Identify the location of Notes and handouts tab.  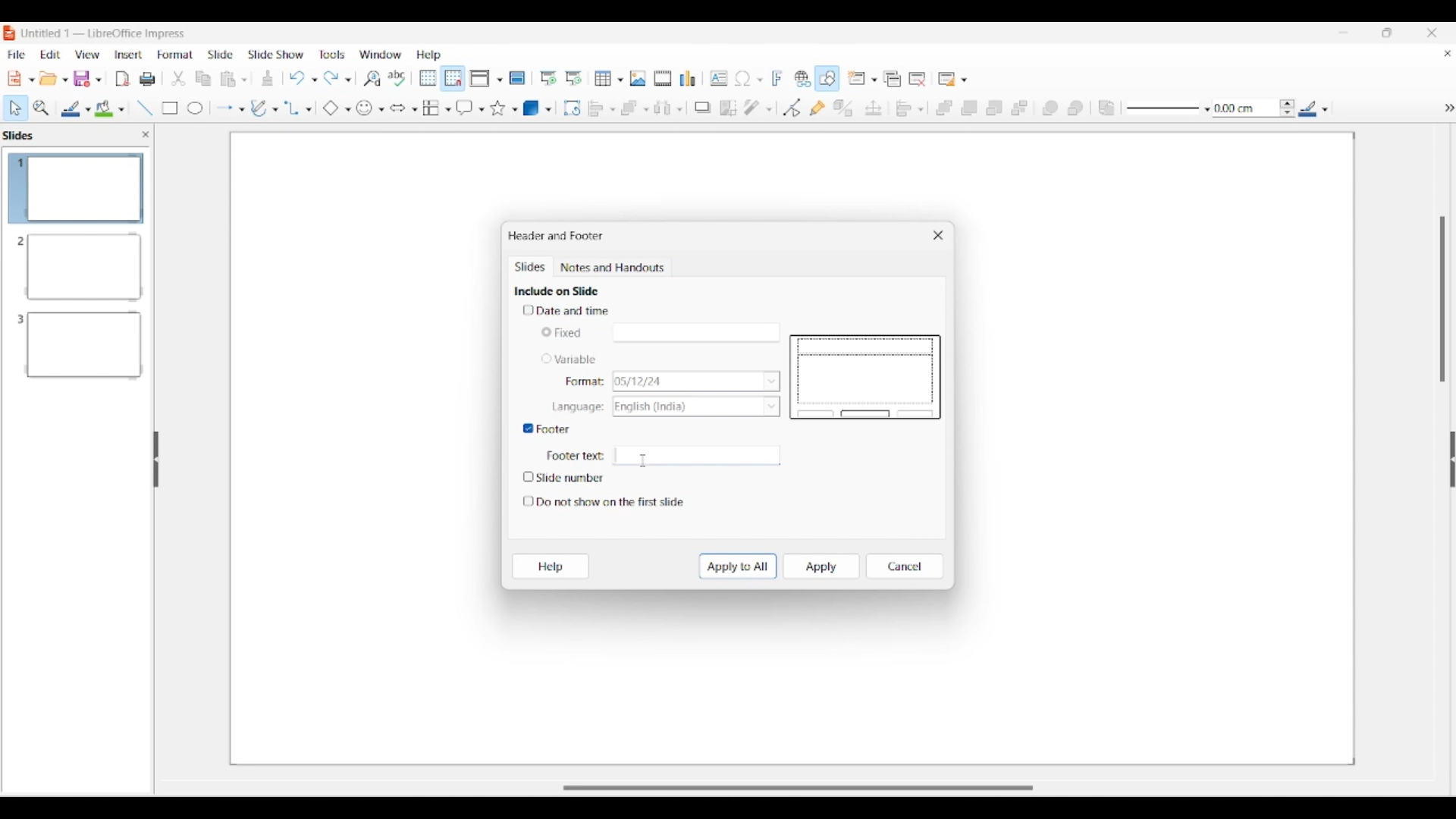
(614, 268).